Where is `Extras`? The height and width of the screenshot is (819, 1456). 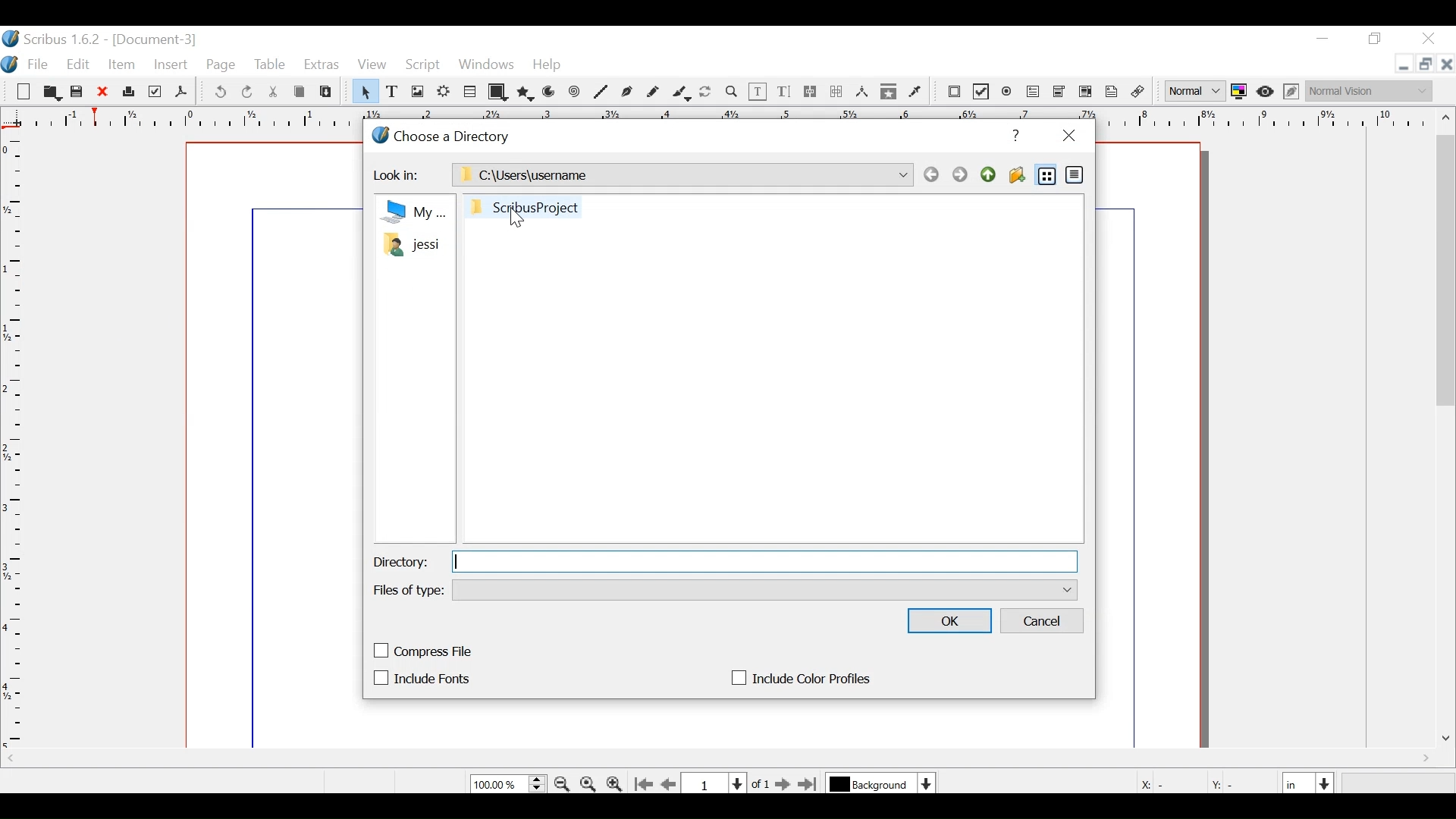 Extras is located at coordinates (322, 65).